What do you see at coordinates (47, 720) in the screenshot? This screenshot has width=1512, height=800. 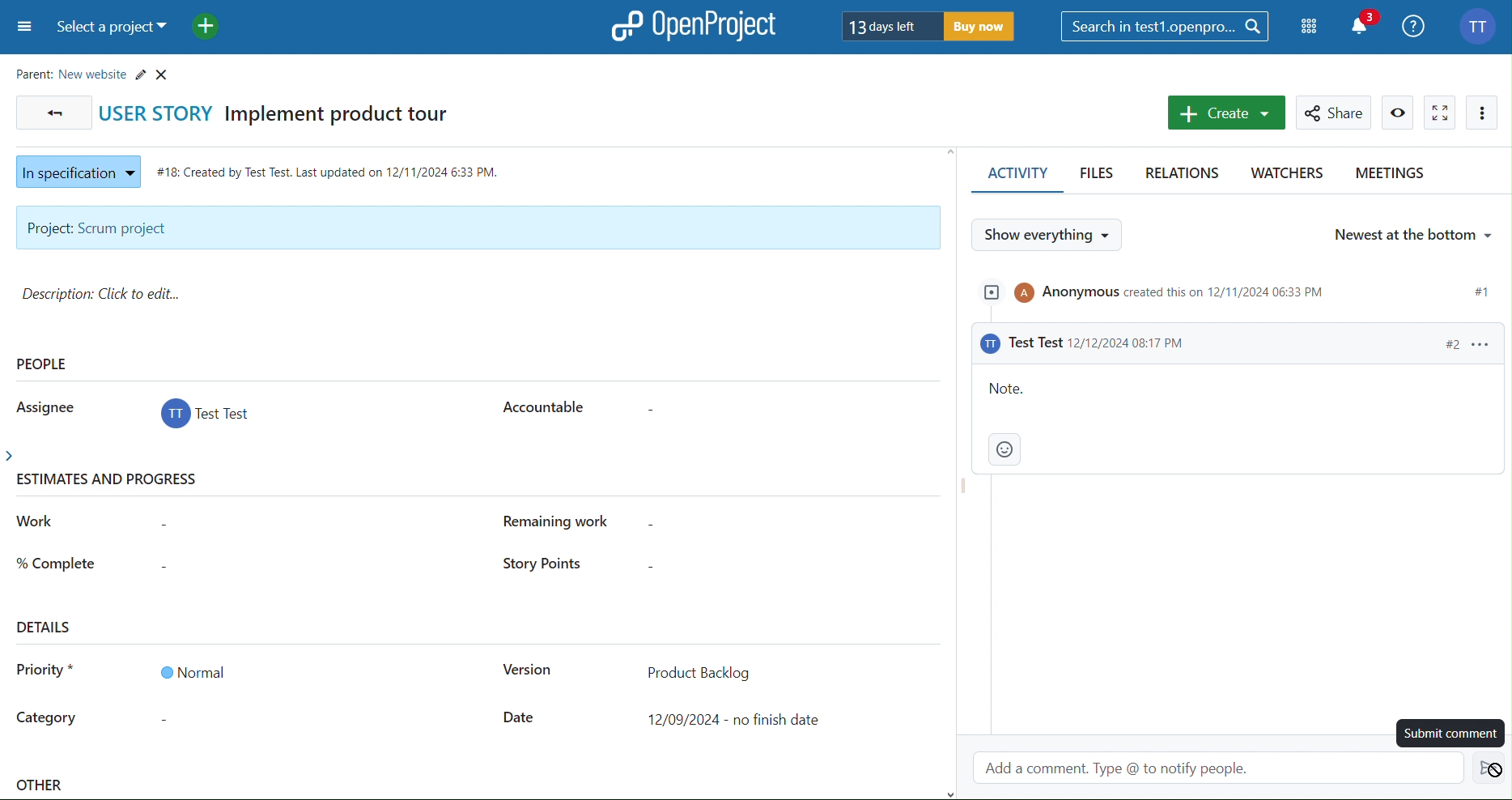 I see `Category` at bounding box center [47, 720].